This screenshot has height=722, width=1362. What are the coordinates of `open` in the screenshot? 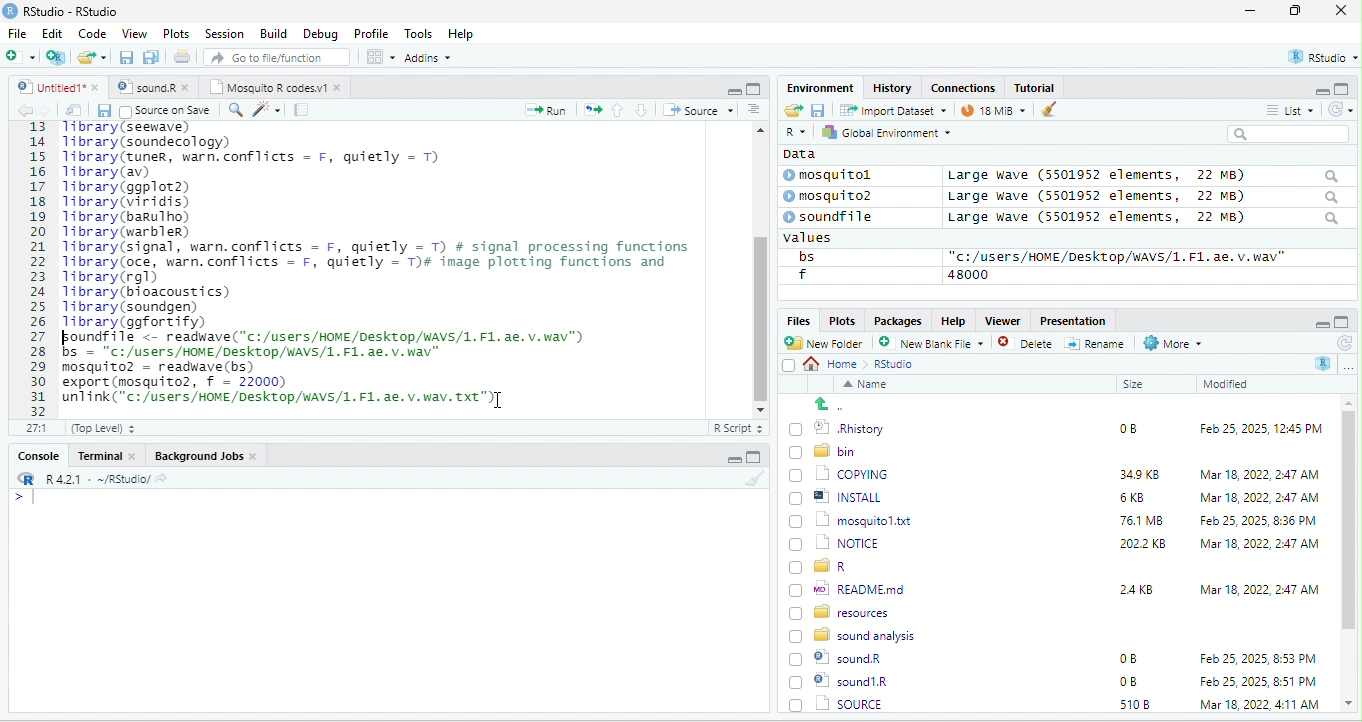 It's located at (74, 110).